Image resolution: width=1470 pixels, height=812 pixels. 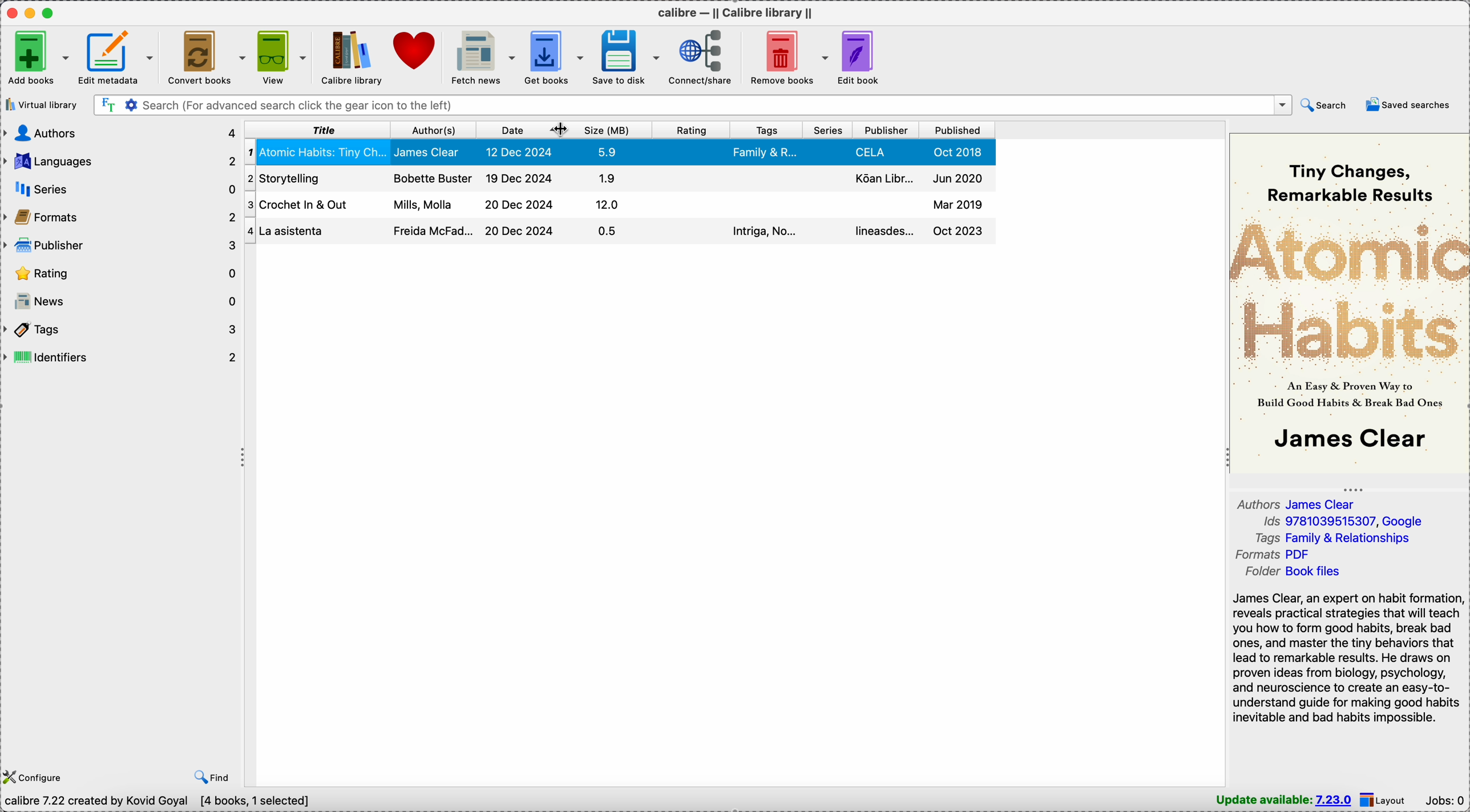 I want to click on search, so click(x=1323, y=106).